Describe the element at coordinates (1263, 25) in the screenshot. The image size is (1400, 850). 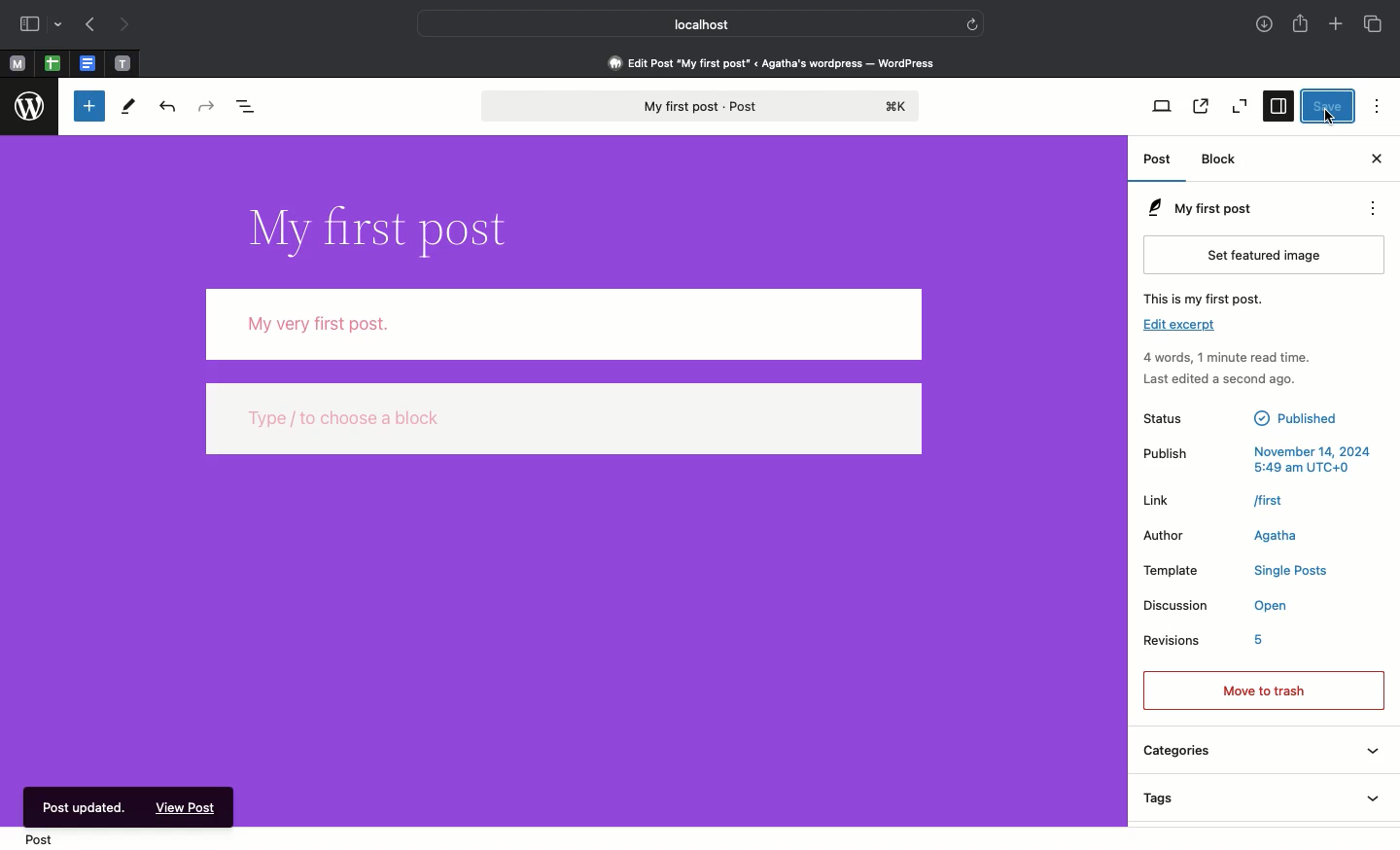
I see `Downloads` at that location.